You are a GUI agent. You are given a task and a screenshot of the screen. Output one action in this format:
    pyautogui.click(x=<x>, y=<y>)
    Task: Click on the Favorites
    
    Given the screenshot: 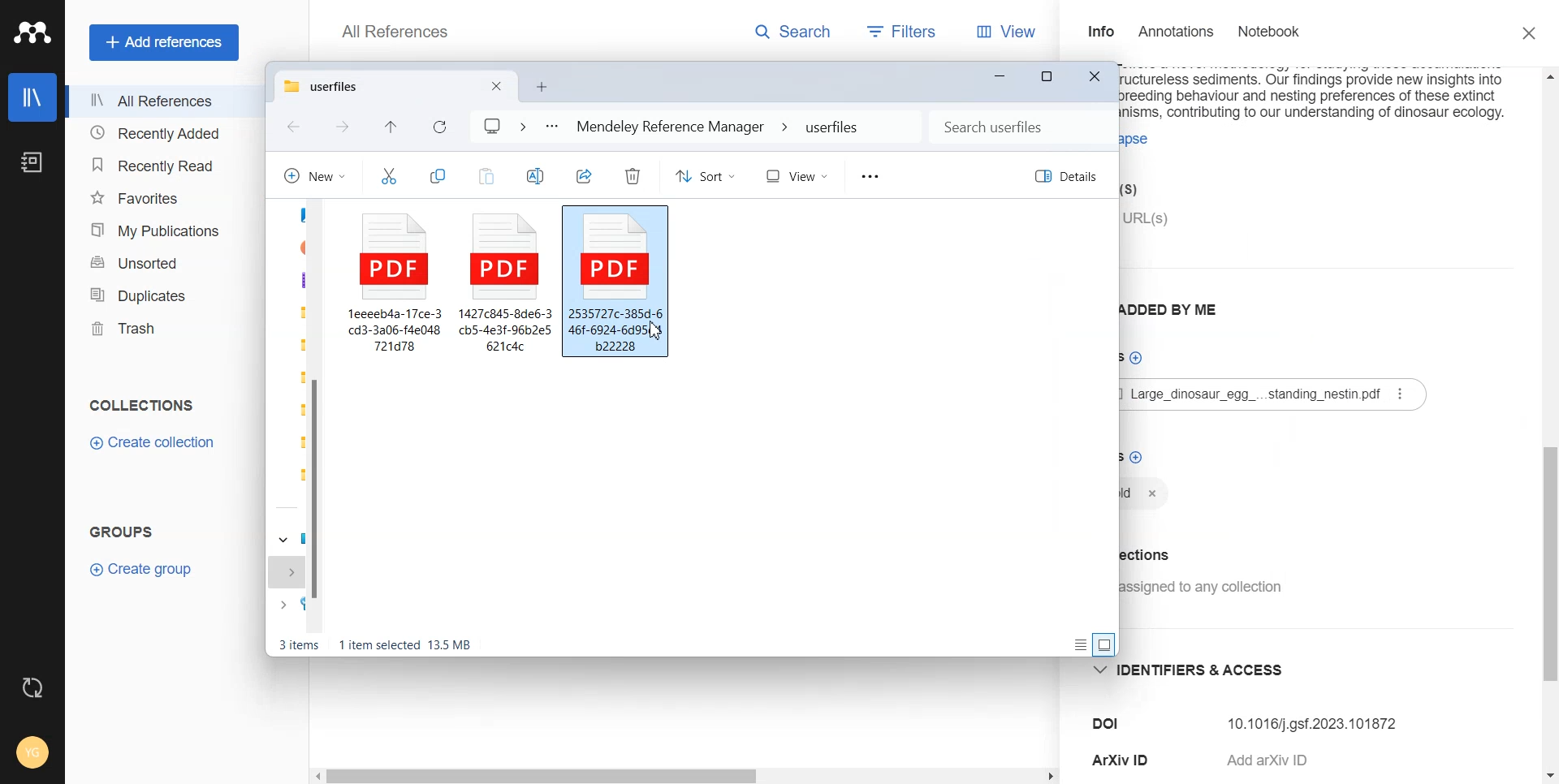 What is the action you would take?
    pyautogui.click(x=166, y=196)
    